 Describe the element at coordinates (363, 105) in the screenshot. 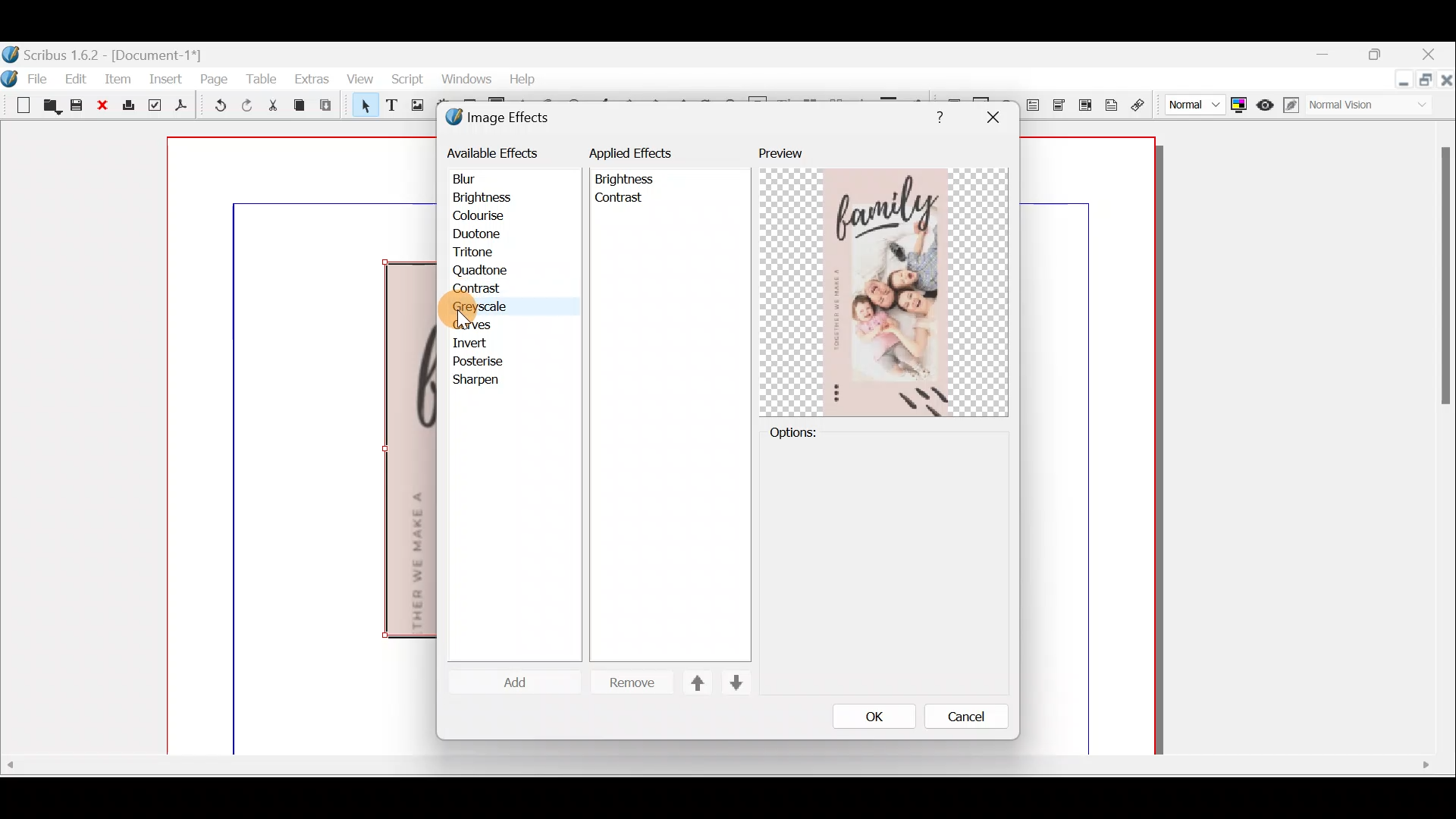

I see `Select item` at that location.